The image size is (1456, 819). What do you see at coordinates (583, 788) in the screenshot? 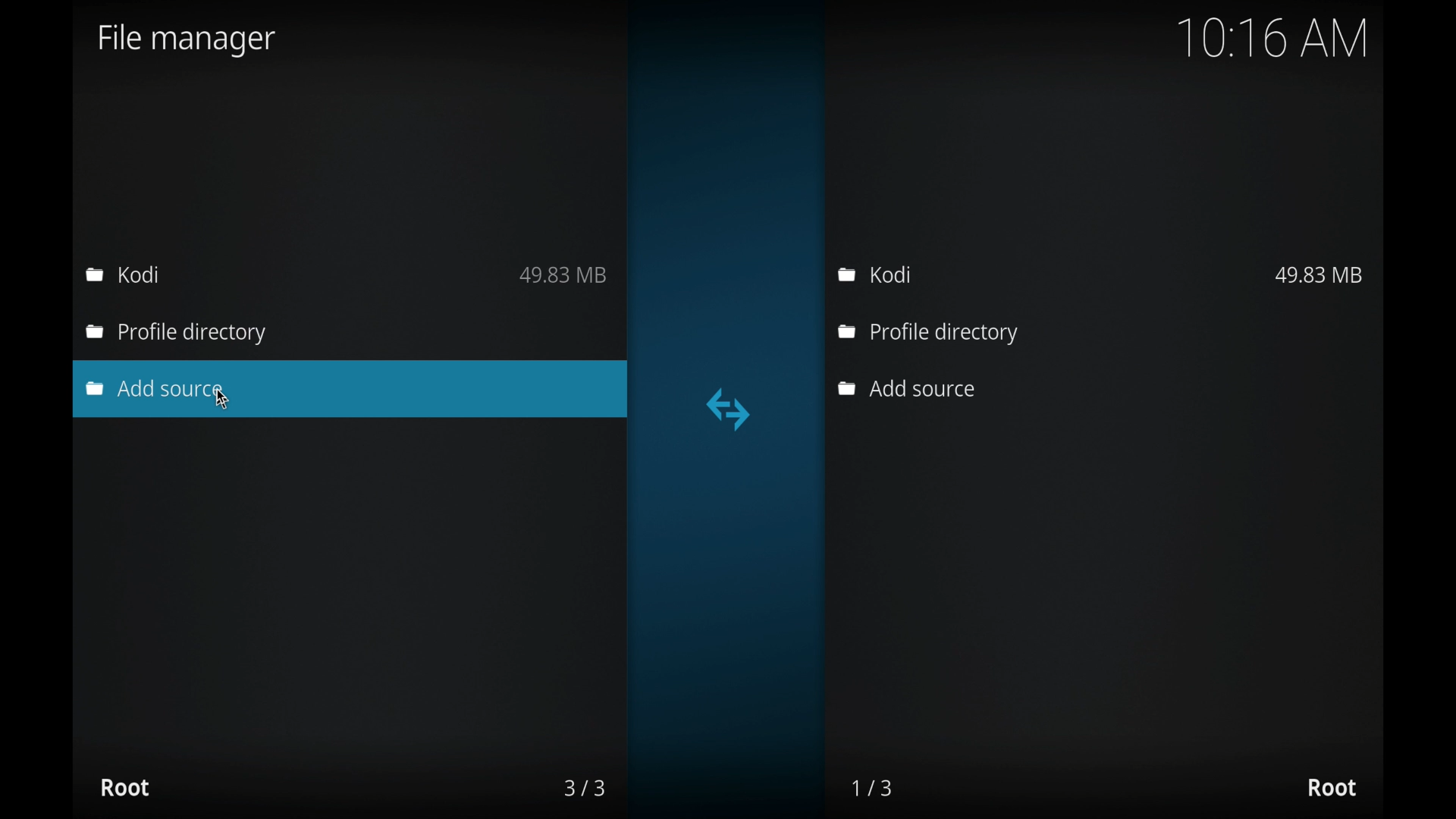
I see `3/3` at bounding box center [583, 788].